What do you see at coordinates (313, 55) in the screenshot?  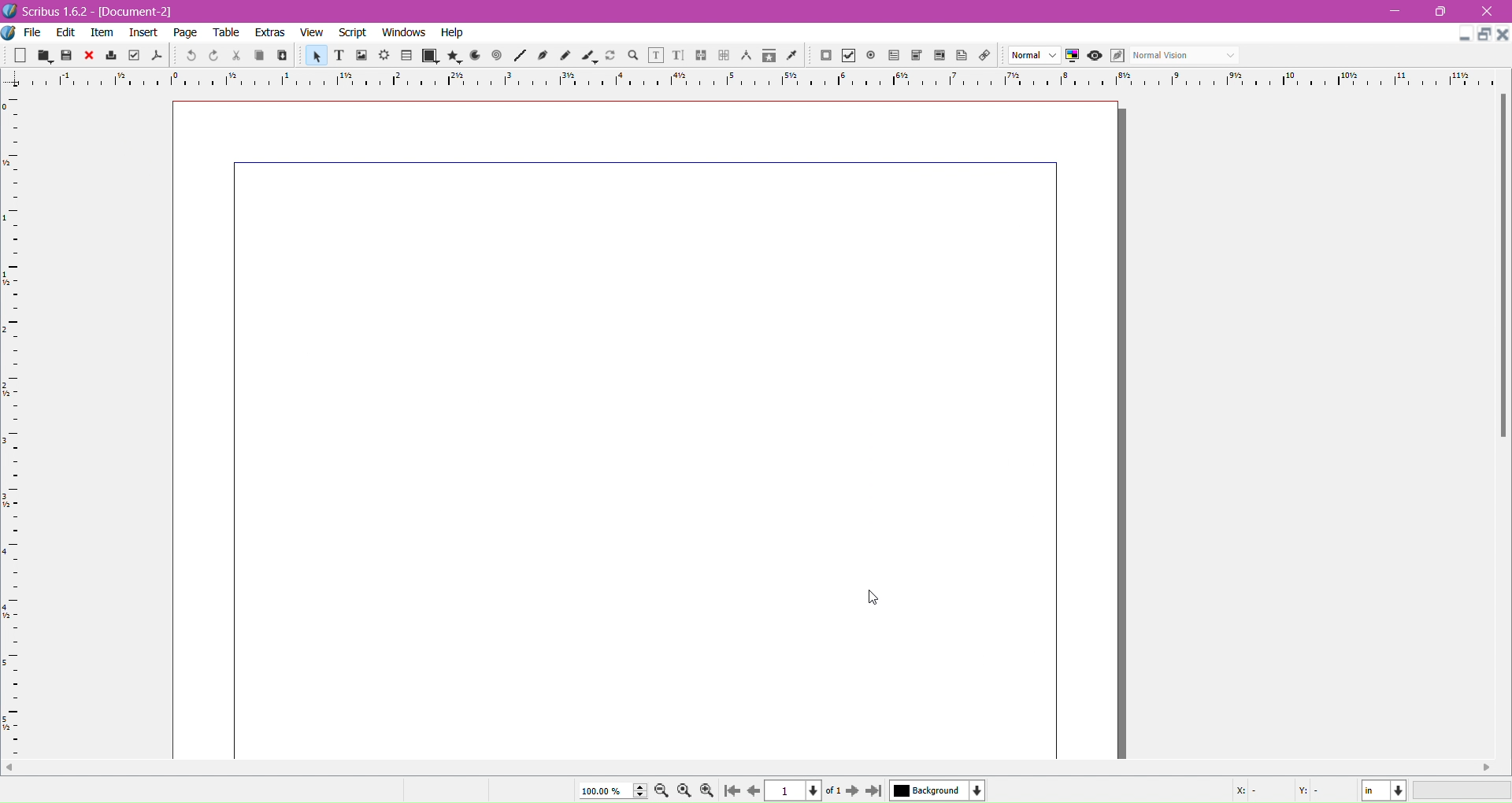 I see `select` at bounding box center [313, 55].